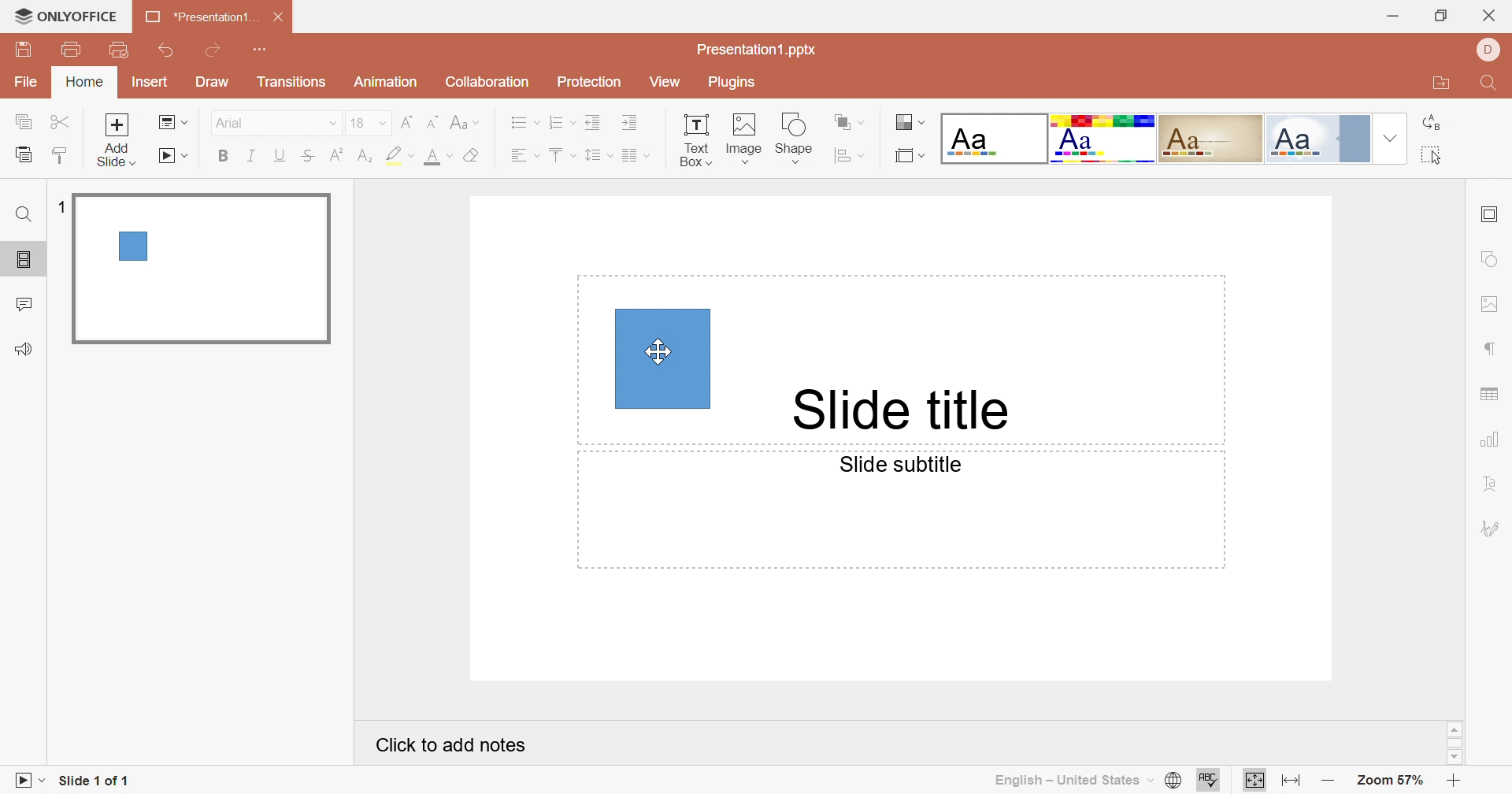 The height and width of the screenshot is (794, 1512). What do you see at coordinates (1442, 15) in the screenshot?
I see `Restore Down` at bounding box center [1442, 15].